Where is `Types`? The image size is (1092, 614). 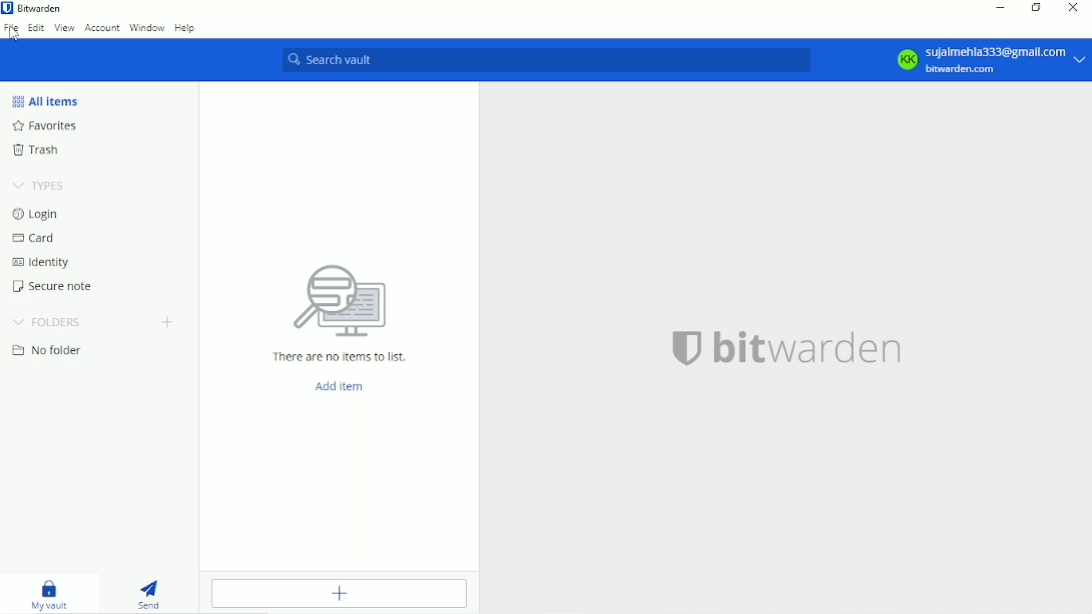 Types is located at coordinates (39, 186).